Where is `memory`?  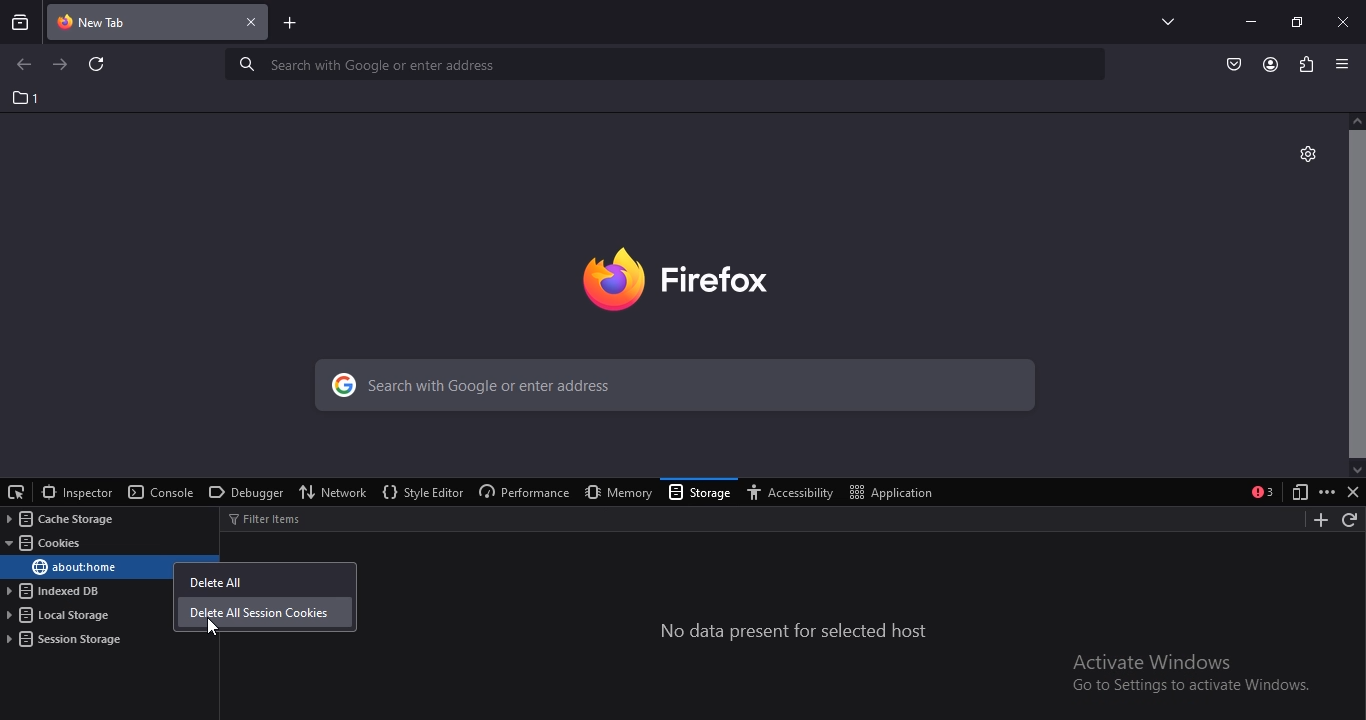
memory is located at coordinates (614, 492).